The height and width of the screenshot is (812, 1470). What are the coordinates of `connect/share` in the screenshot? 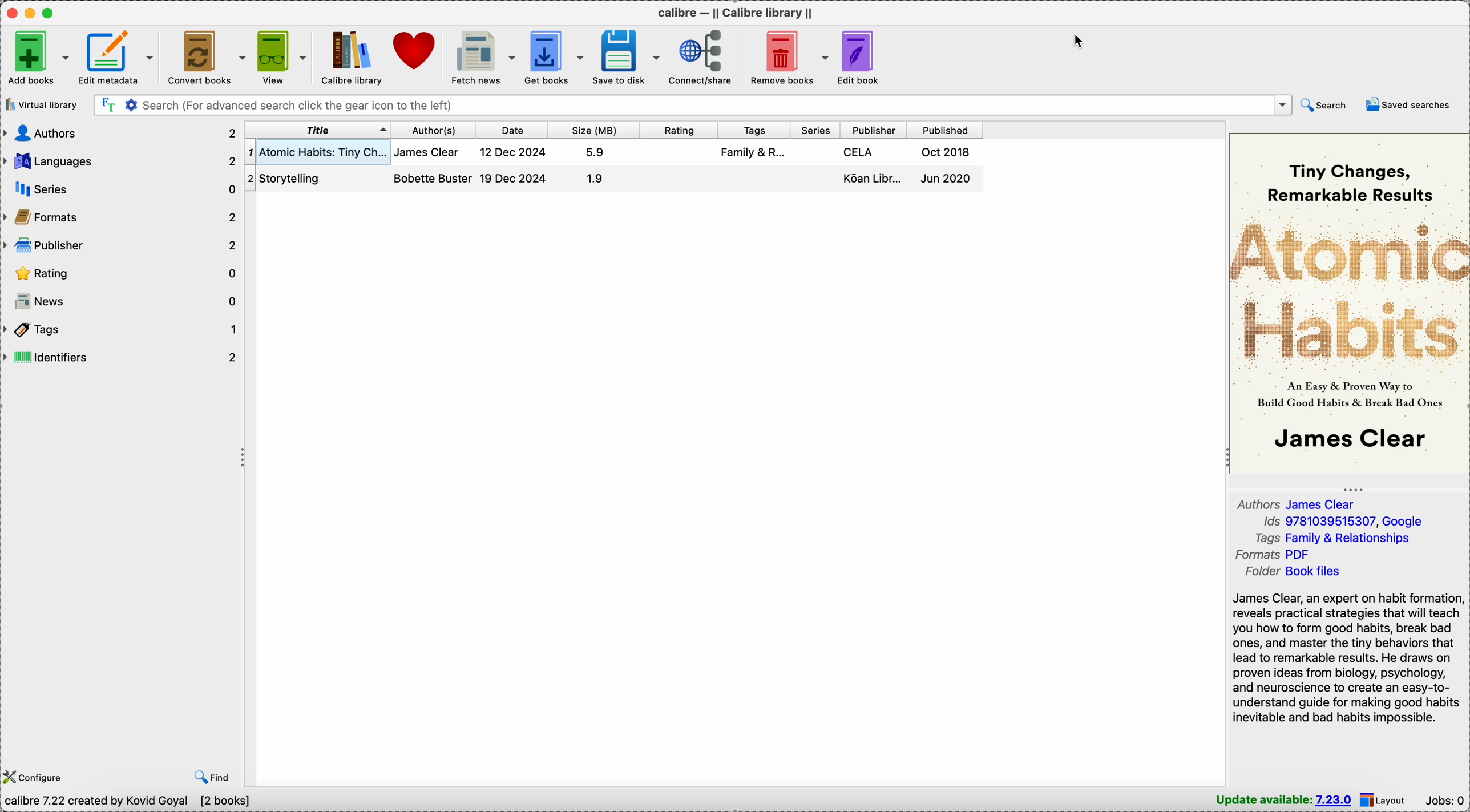 It's located at (701, 56).